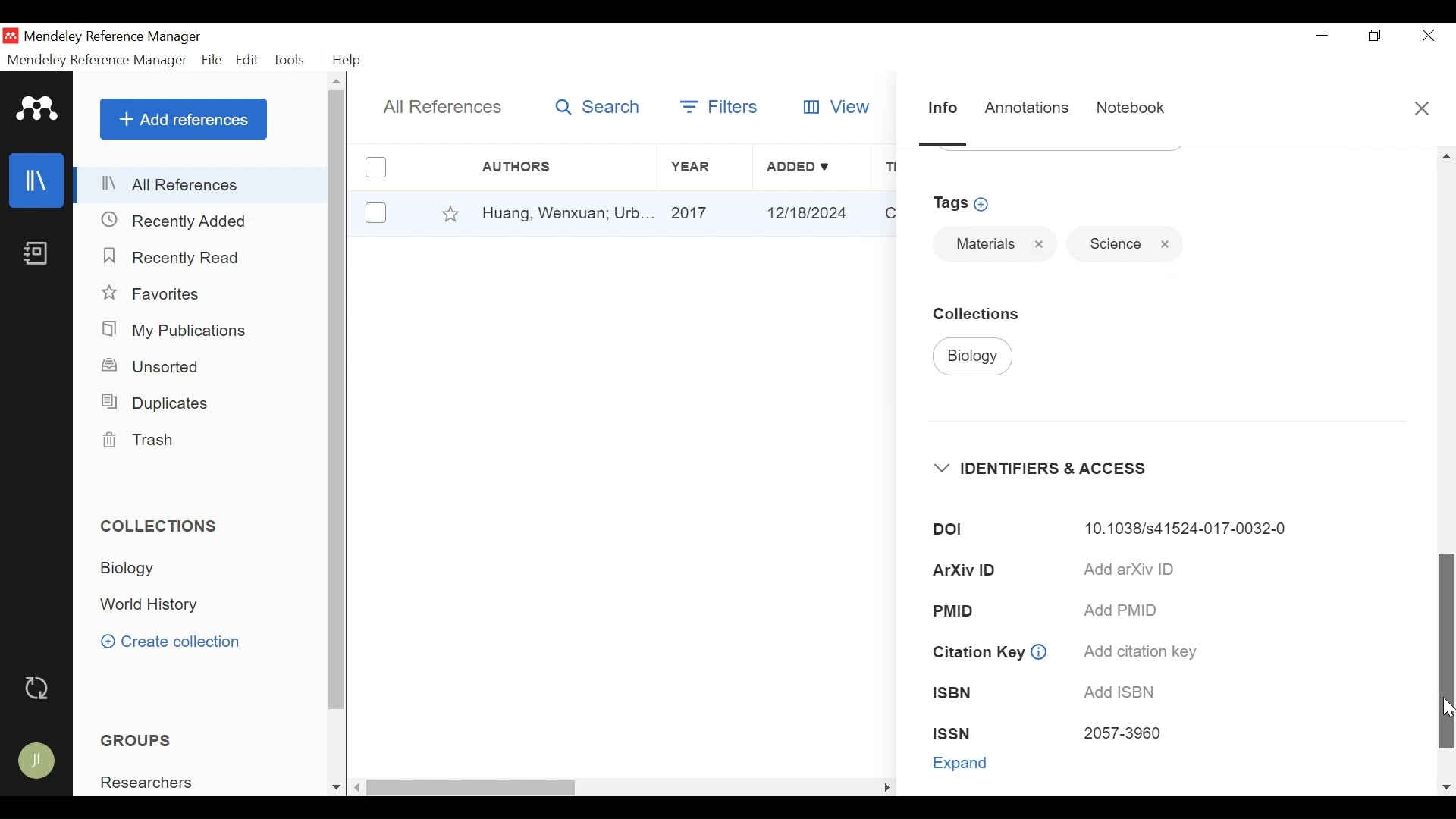 Image resolution: width=1456 pixels, height=819 pixels. What do you see at coordinates (1446, 787) in the screenshot?
I see `Scroll down` at bounding box center [1446, 787].